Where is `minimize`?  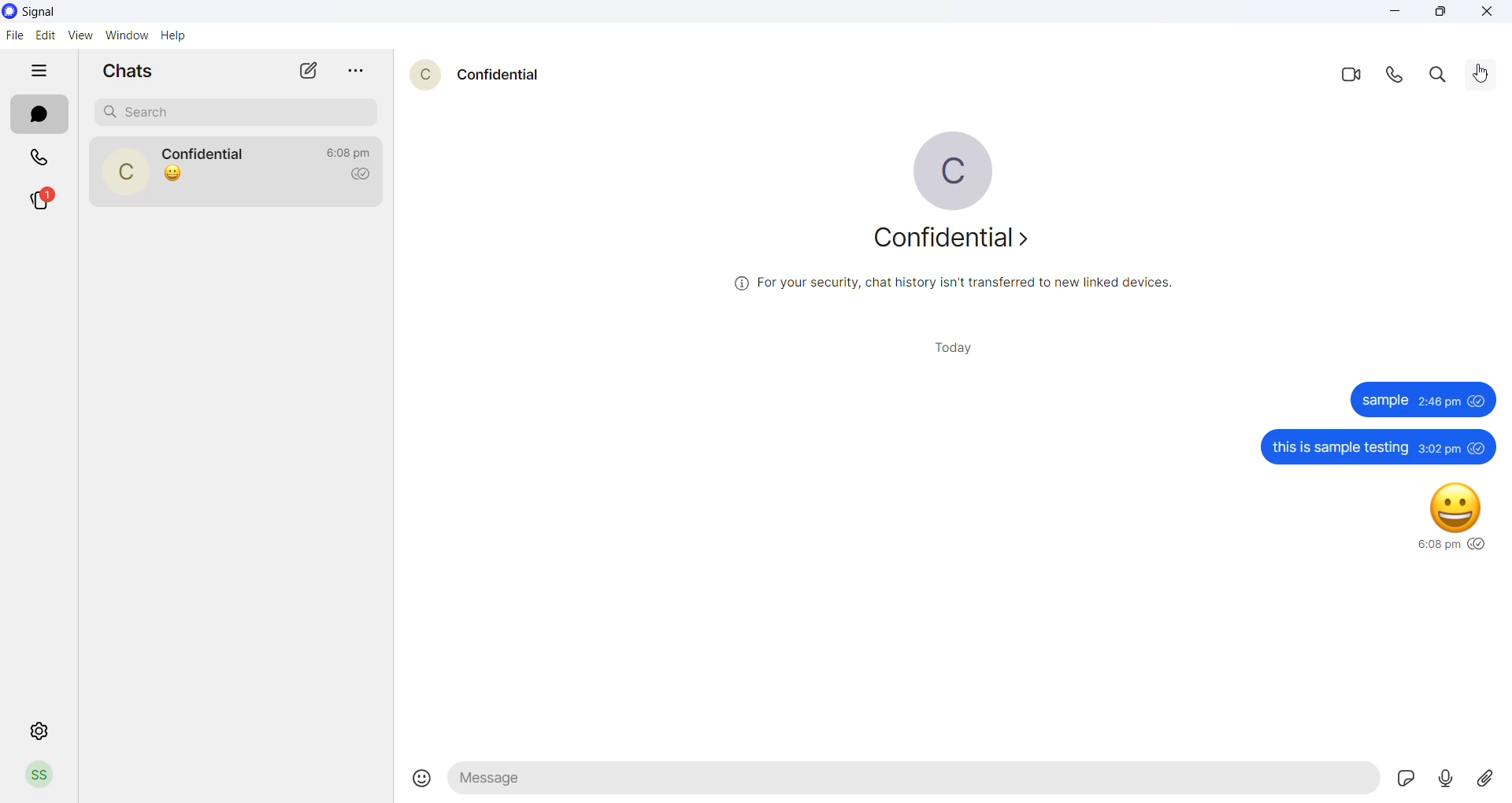
minimize is located at coordinates (1393, 11).